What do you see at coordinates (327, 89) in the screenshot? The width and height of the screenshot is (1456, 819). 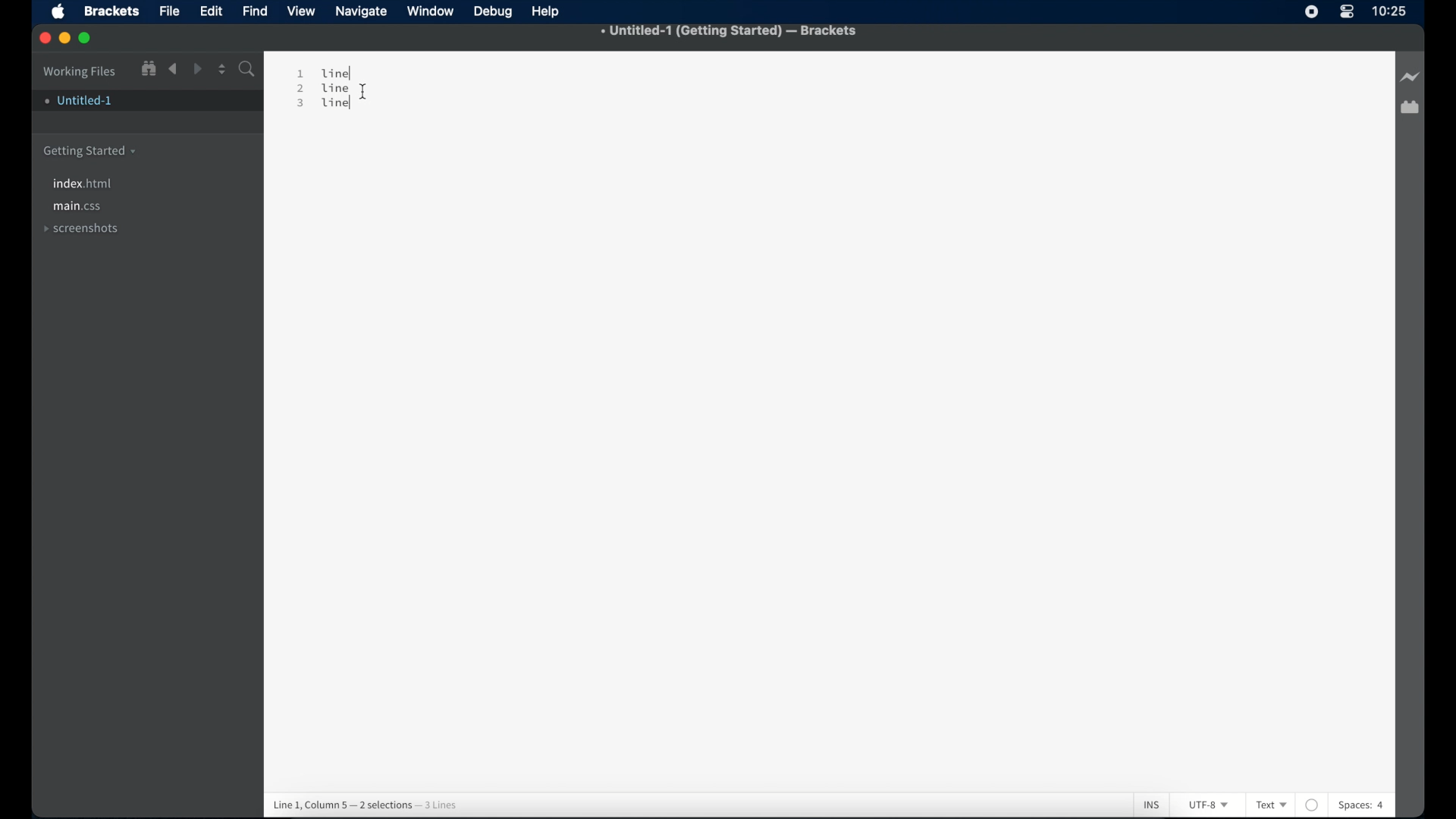 I see `2 line` at bounding box center [327, 89].